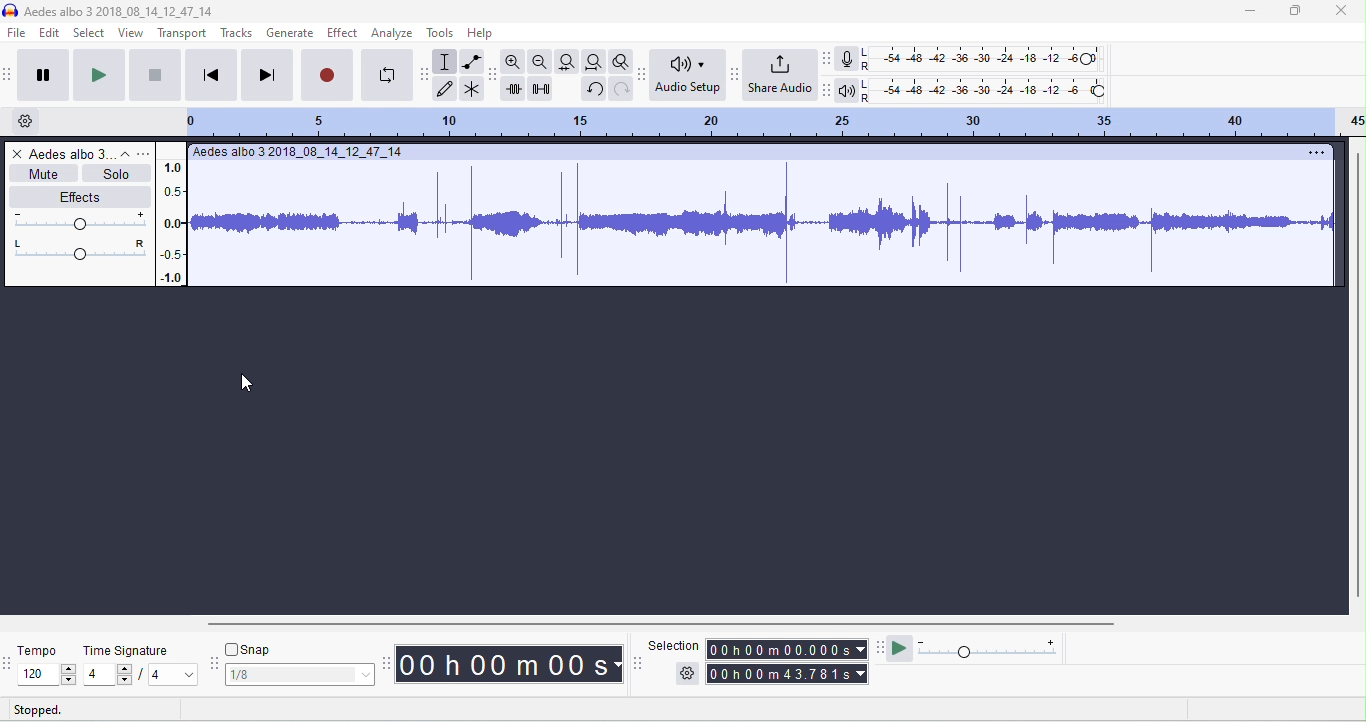  What do you see at coordinates (515, 61) in the screenshot?
I see `zoom in` at bounding box center [515, 61].